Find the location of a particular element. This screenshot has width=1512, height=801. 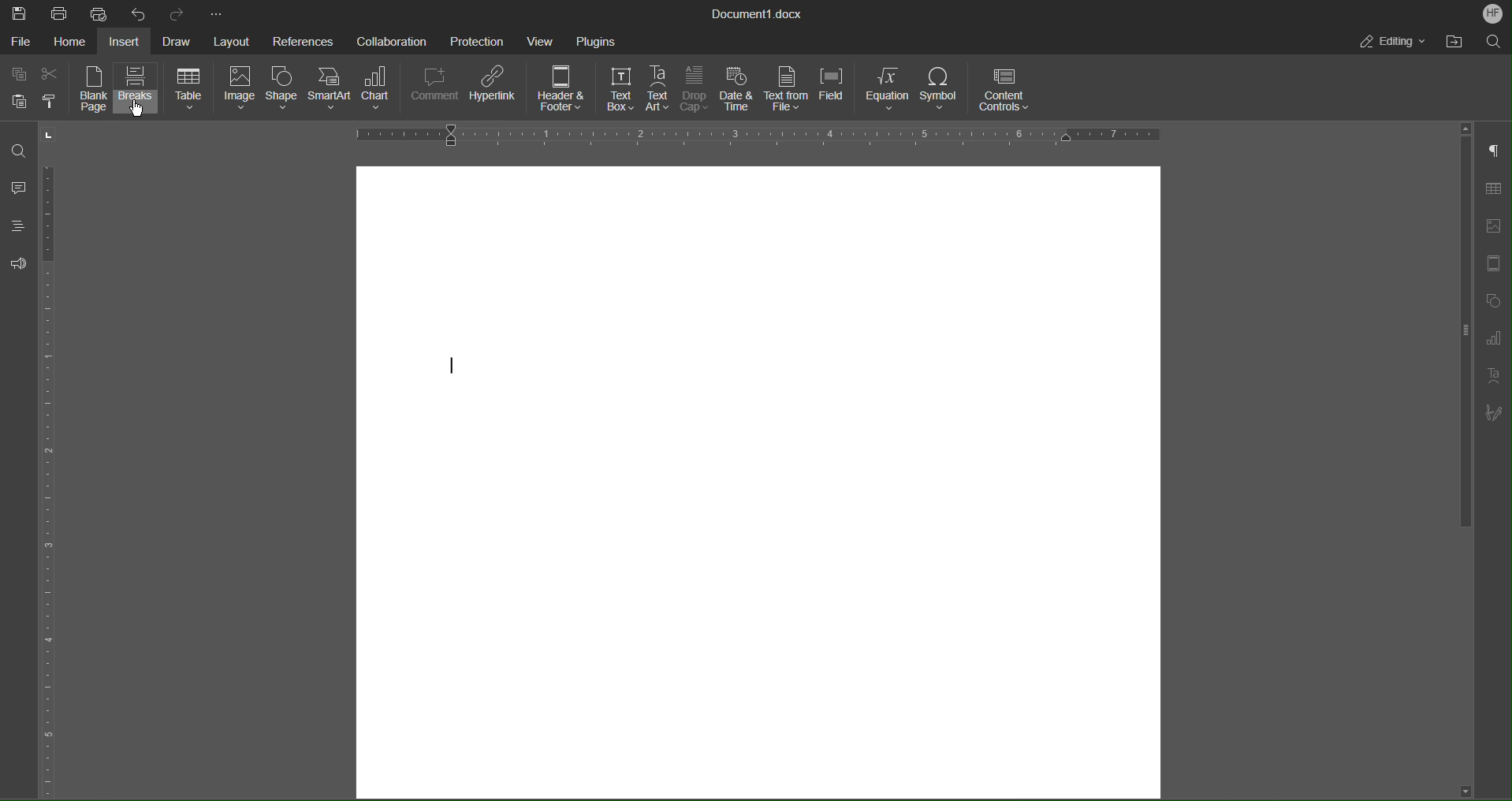

Shape is located at coordinates (283, 90).